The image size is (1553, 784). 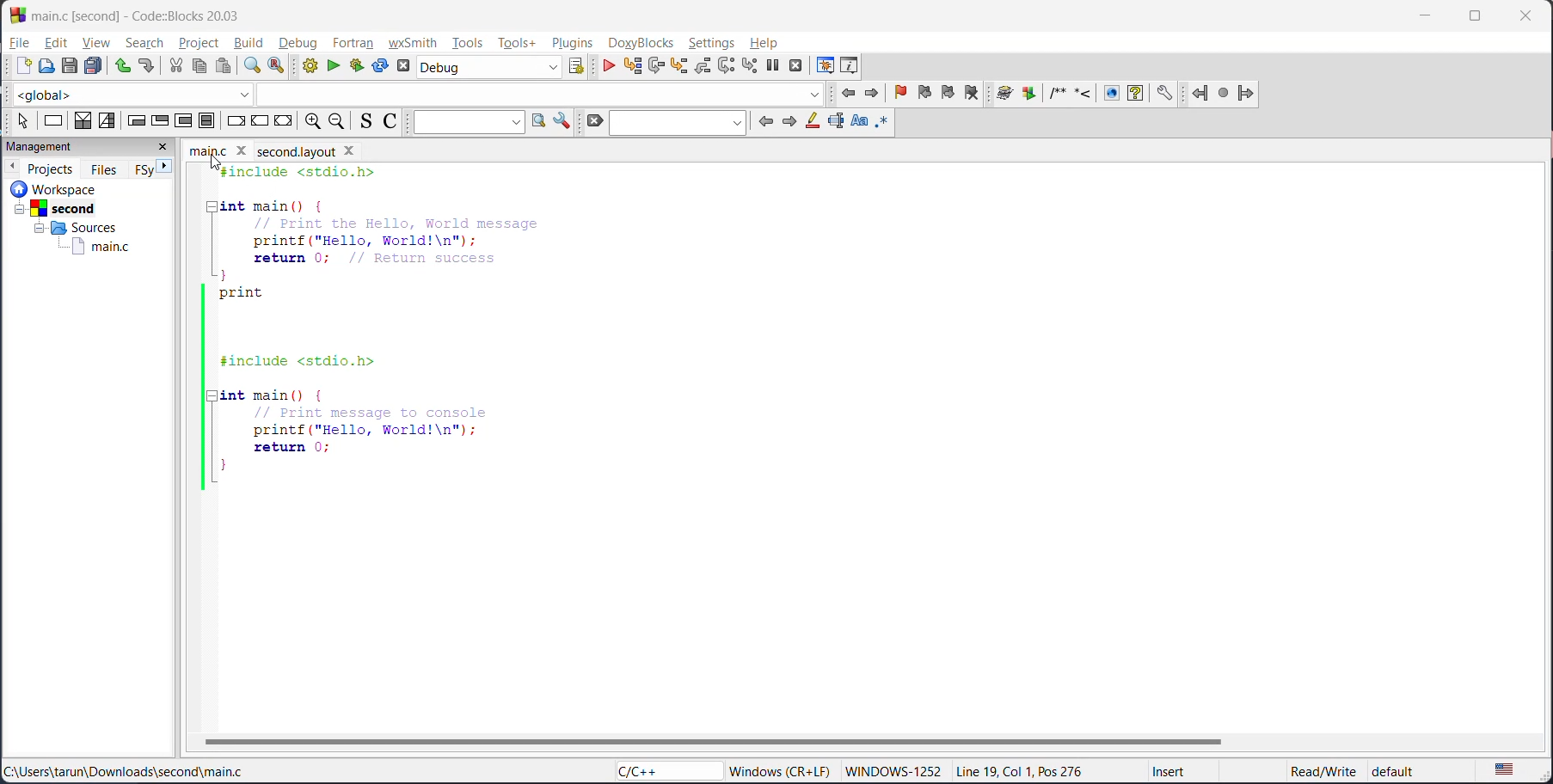 I want to click on find, so click(x=253, y=65).